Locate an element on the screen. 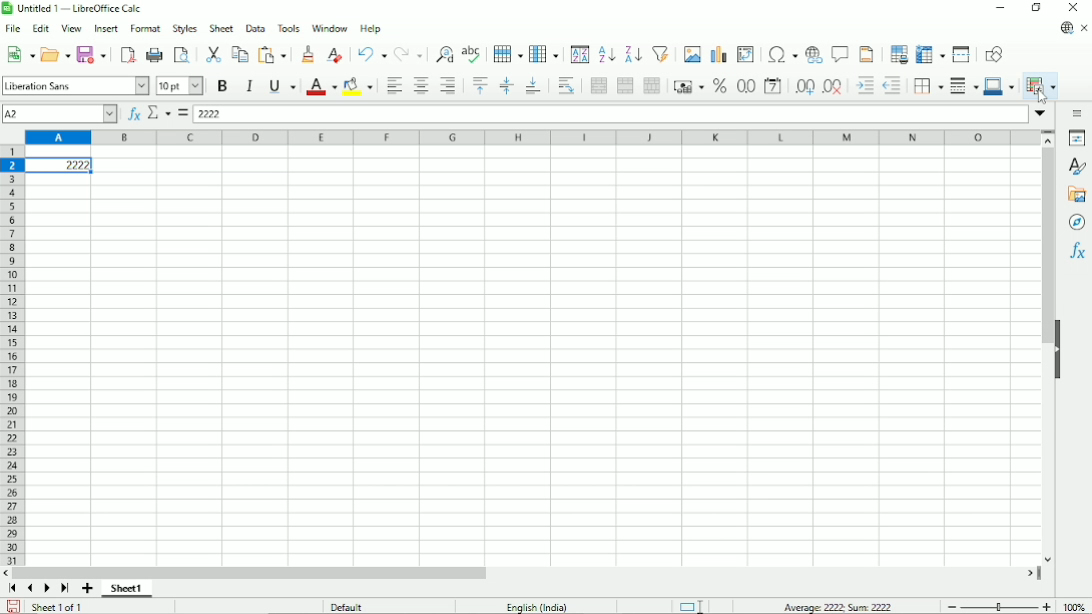 The width and height of the screenshot is (1092, 614). Redo is located at coordinates (408, 54).